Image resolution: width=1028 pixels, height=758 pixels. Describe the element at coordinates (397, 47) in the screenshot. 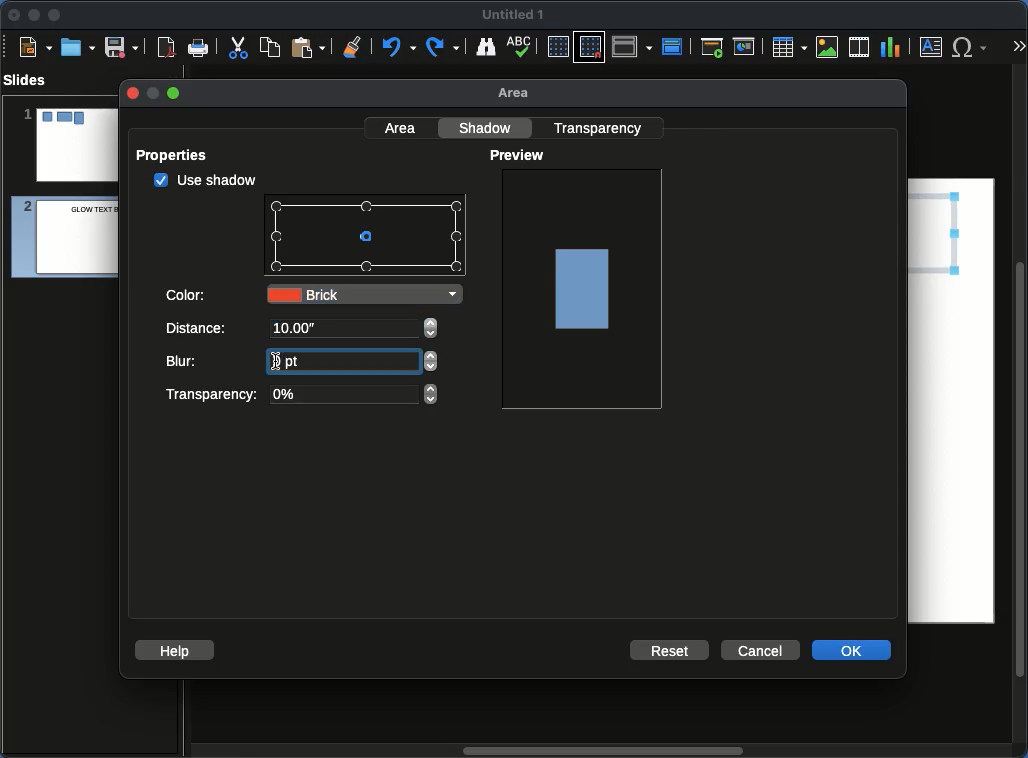

I see `Undo` at that location.